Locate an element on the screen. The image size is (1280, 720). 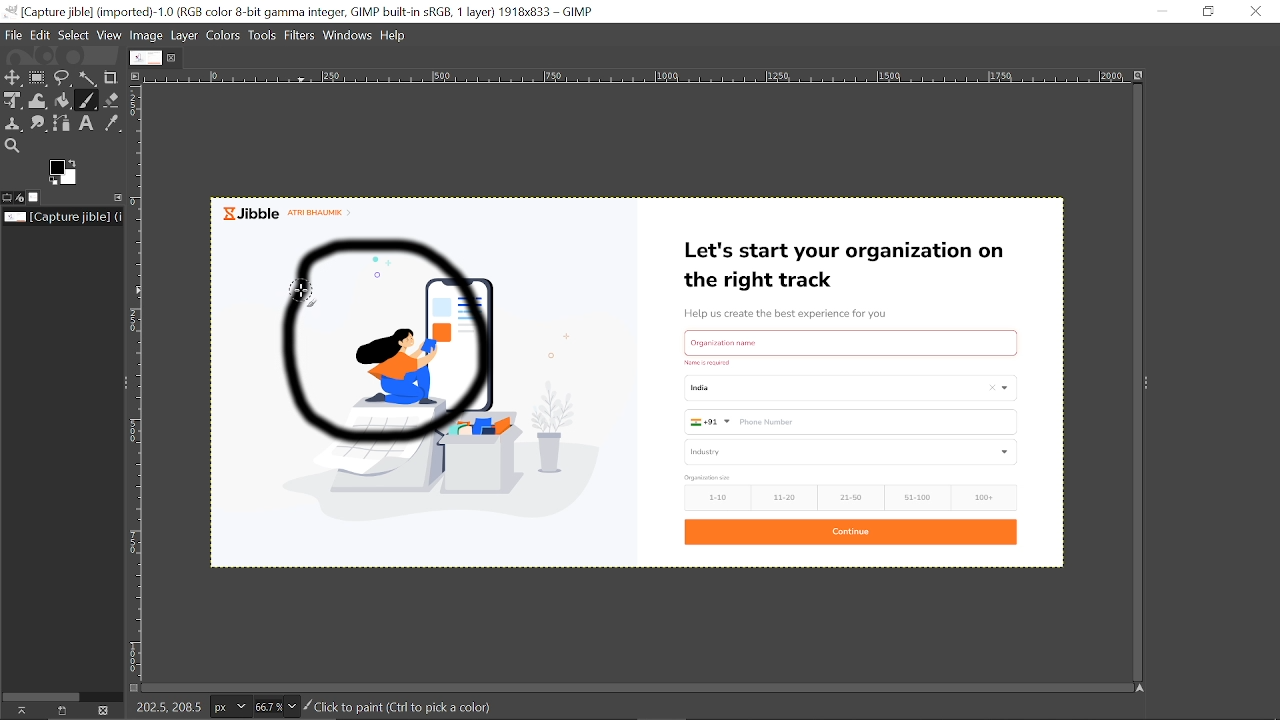
Paths tool is located at coordinates (64, 124).